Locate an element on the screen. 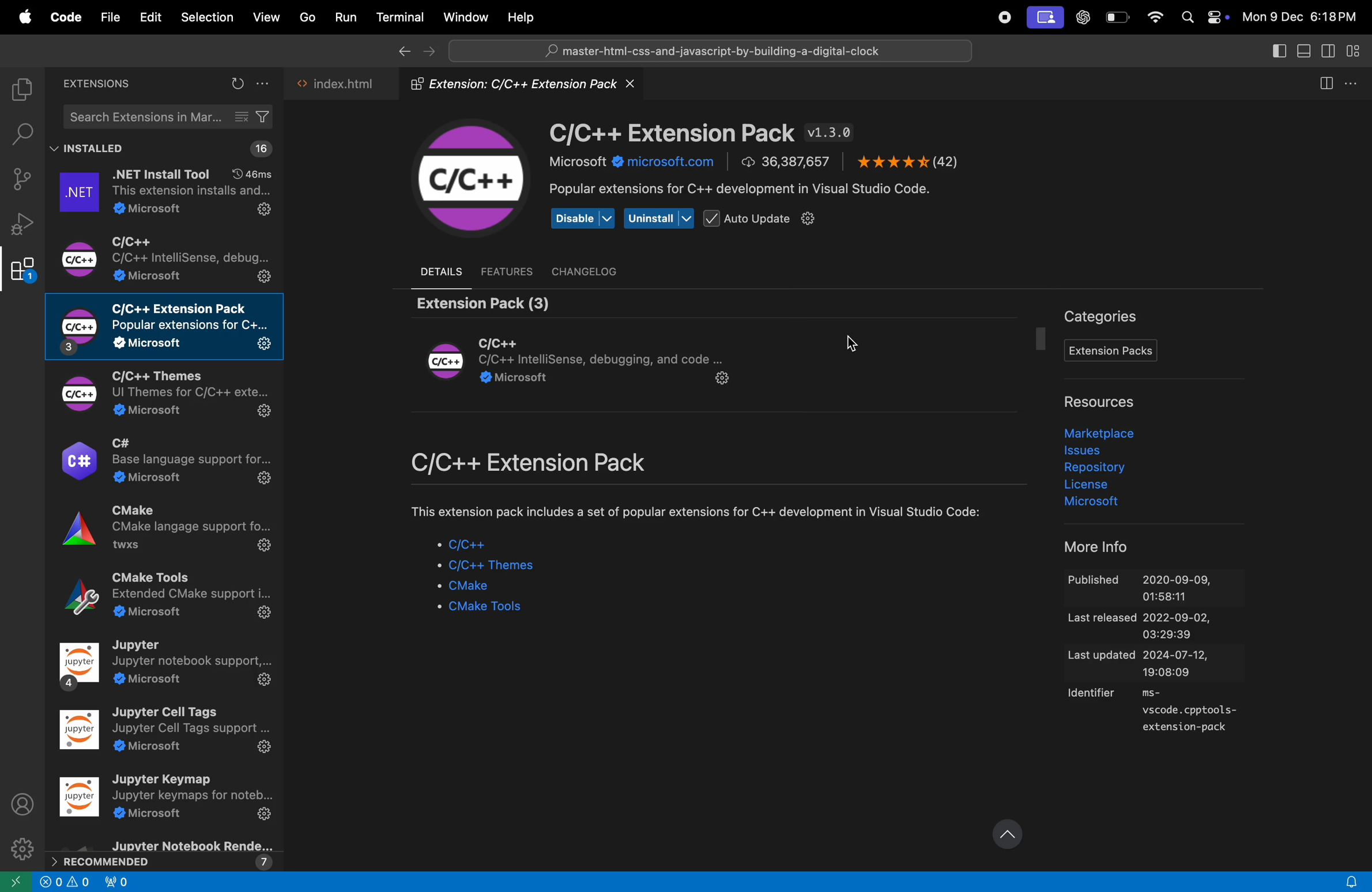 Image resolution: width=1372 pixels, height=892 pixels. C# extensions is located at coordinates (164, 462).